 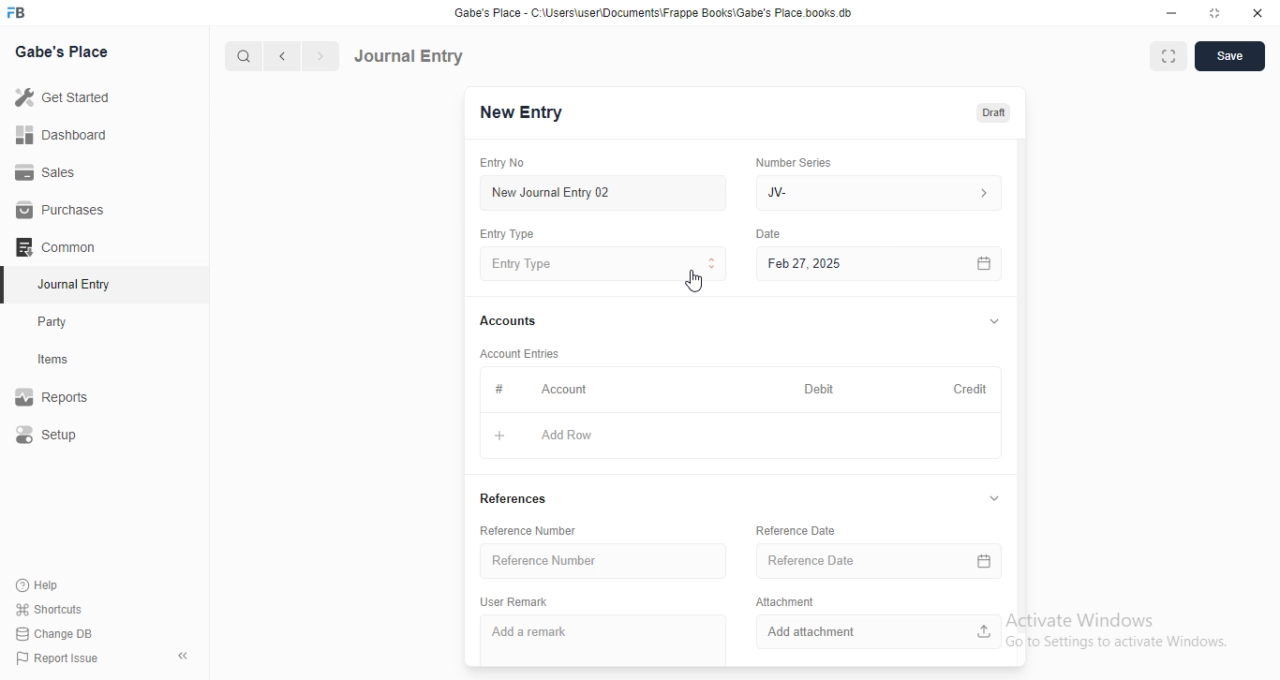 What do you see at coordinates (883, 264) in the screenshot?
I see `Feb 27, 2025` at bounding box center [883, 264].